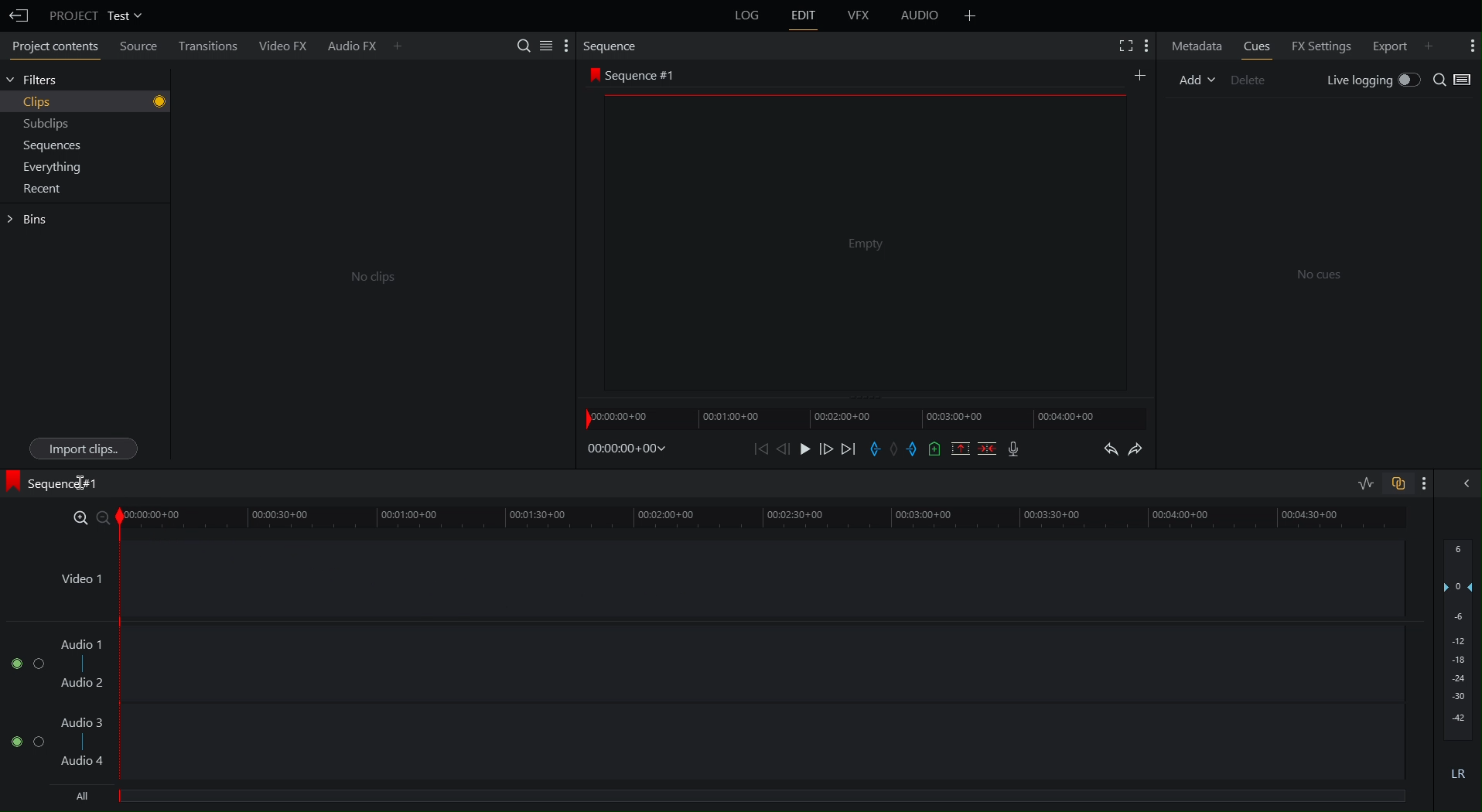 This screenshot has width=1482, height=812. I want to click on Bookmark, so click(935, 448).